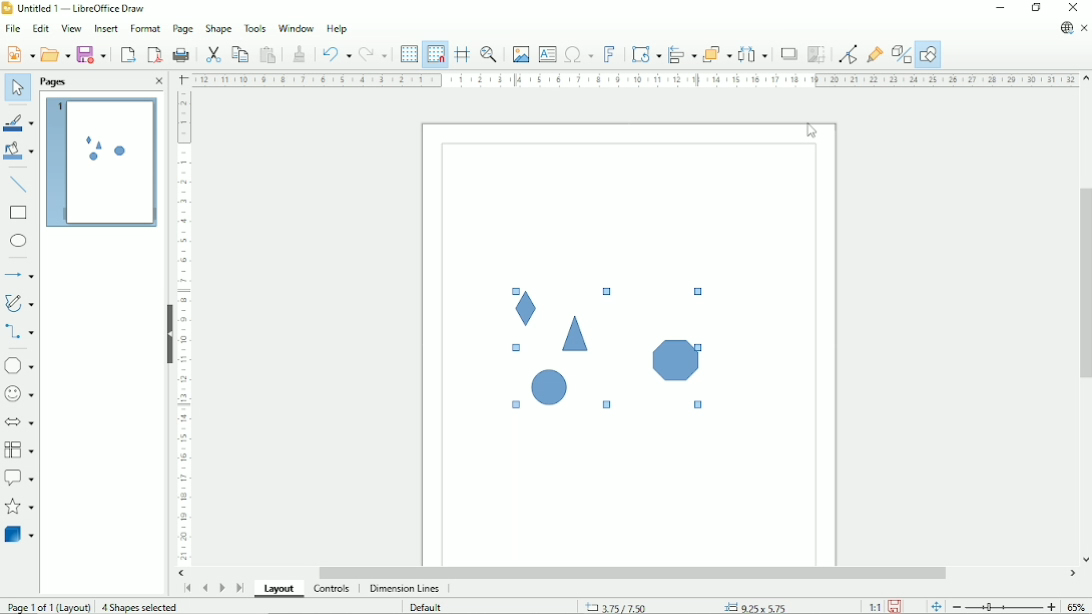 The width and height of the screenshot is (1092, 614). What do you see at coordinates (786, 53) in the screenshot?
I see `Shadow` at bounding box center [786, 53].